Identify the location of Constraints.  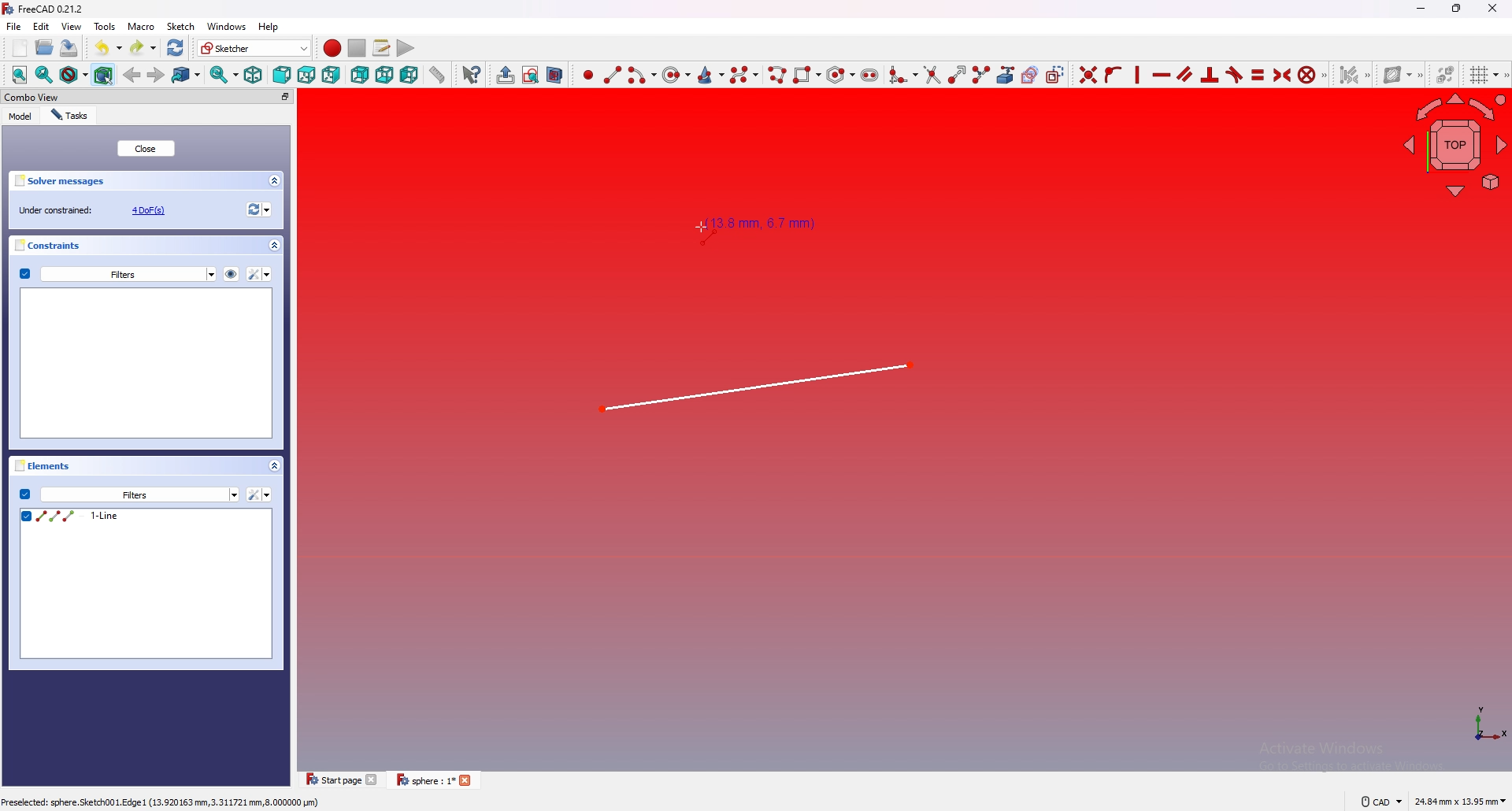
(148, 246).